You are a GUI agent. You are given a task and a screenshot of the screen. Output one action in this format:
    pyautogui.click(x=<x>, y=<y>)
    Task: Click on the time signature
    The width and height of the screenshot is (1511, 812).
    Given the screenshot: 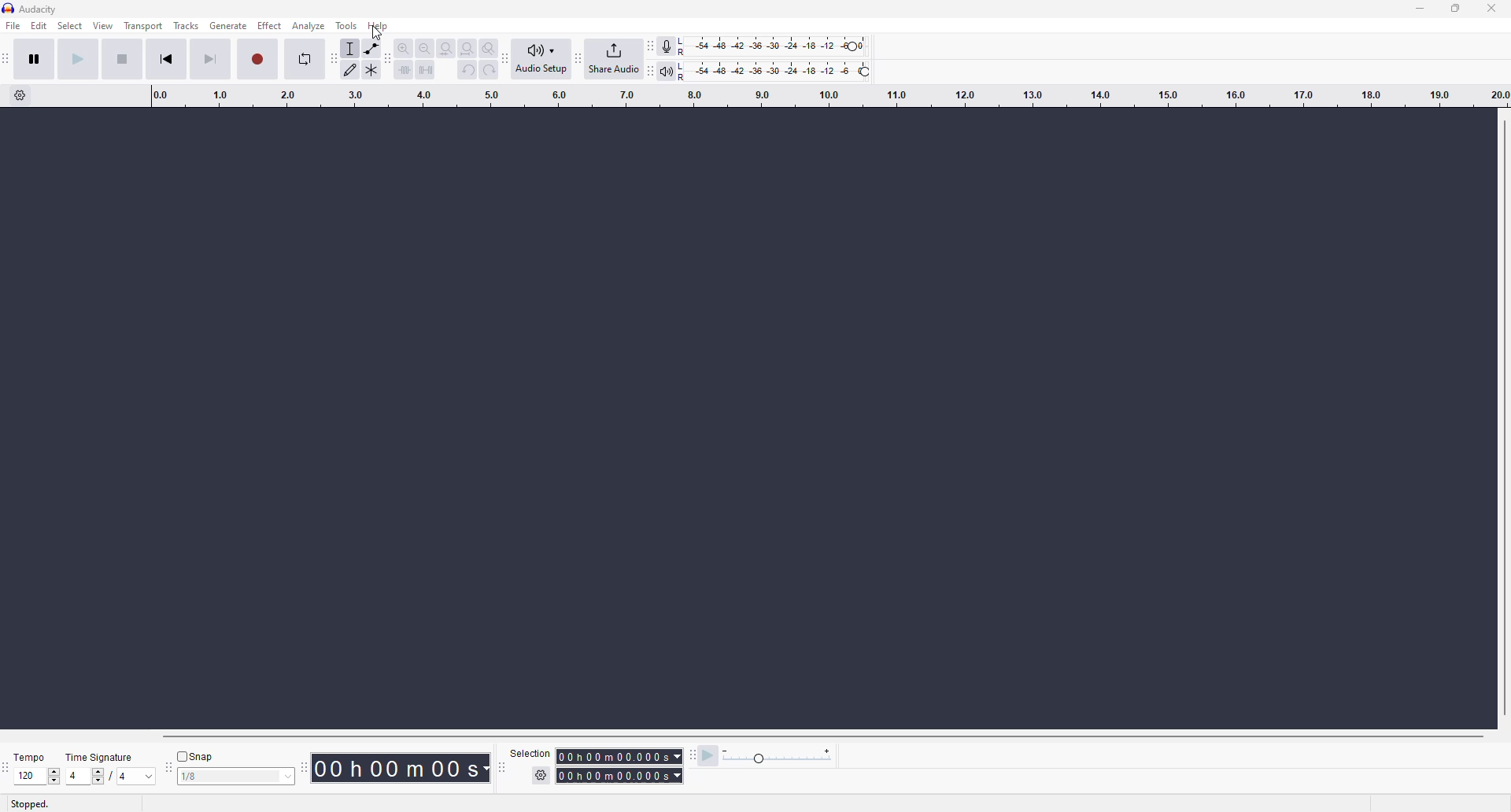 What is the action you would take?
    pyautogui.click(x=101, y=754)
    